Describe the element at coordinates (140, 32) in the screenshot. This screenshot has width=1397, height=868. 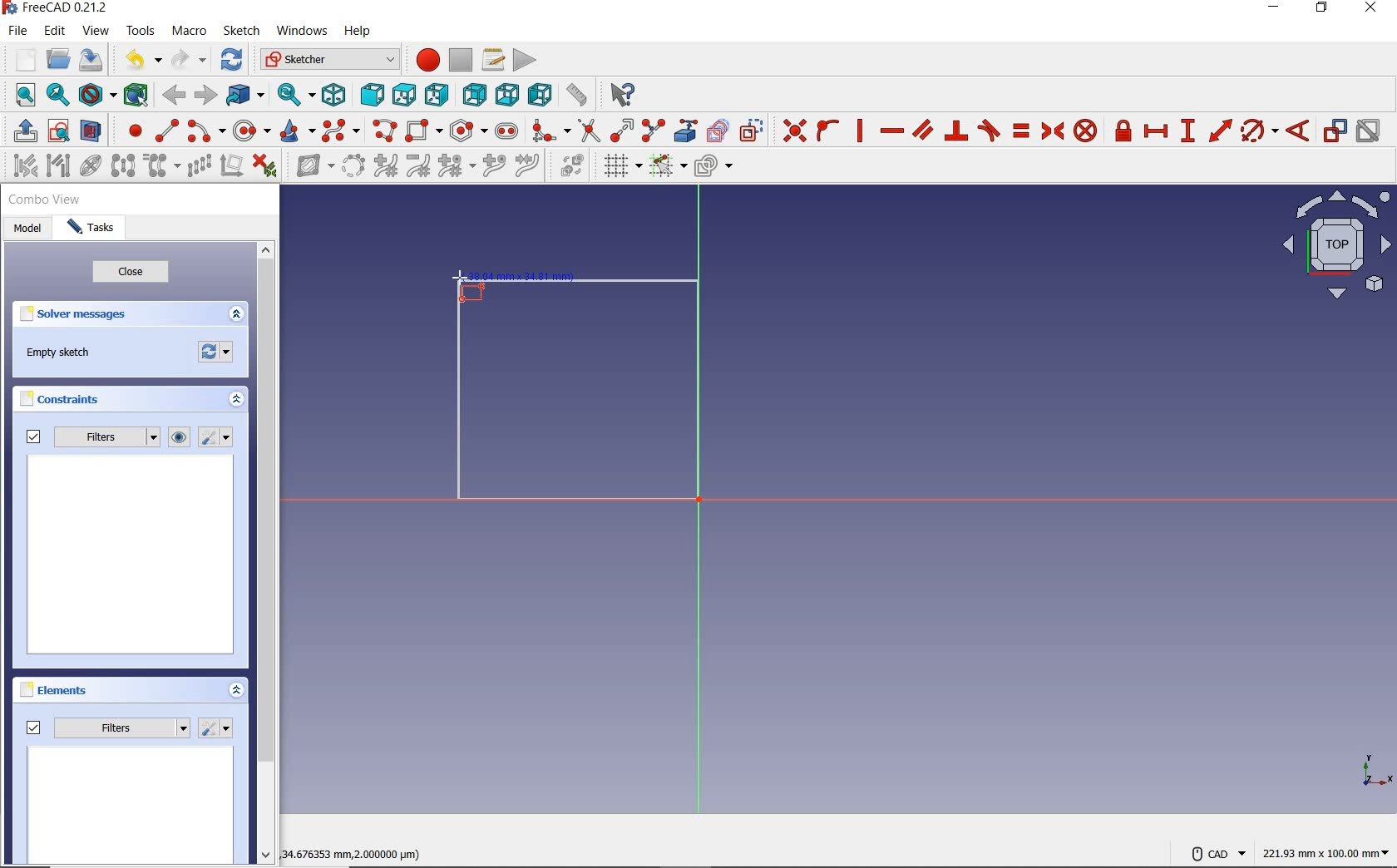
I see `tools` at that location.